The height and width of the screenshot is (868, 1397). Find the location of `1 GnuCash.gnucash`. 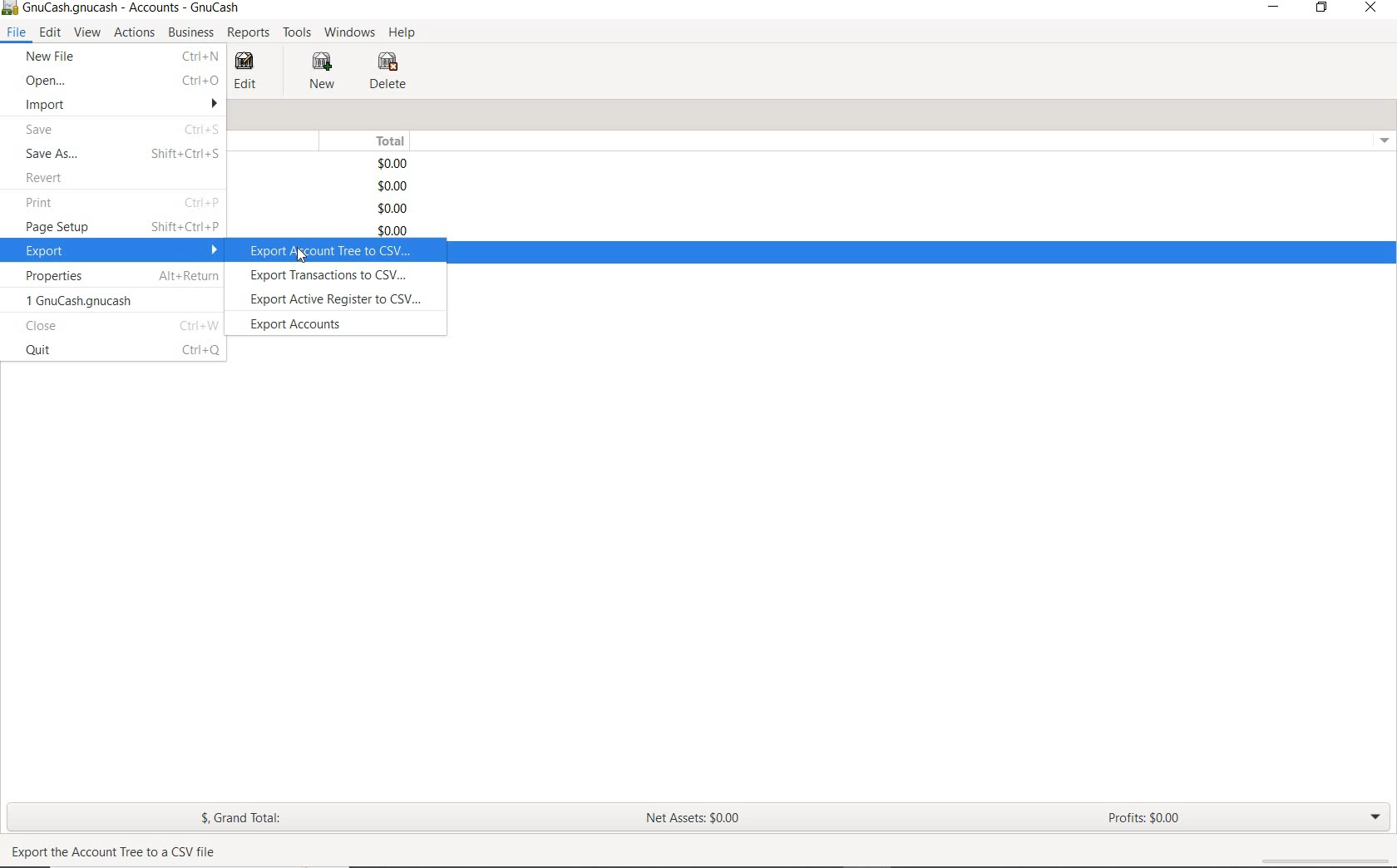

1 GnuCash.gnucash is located at coordinates (80, 301).